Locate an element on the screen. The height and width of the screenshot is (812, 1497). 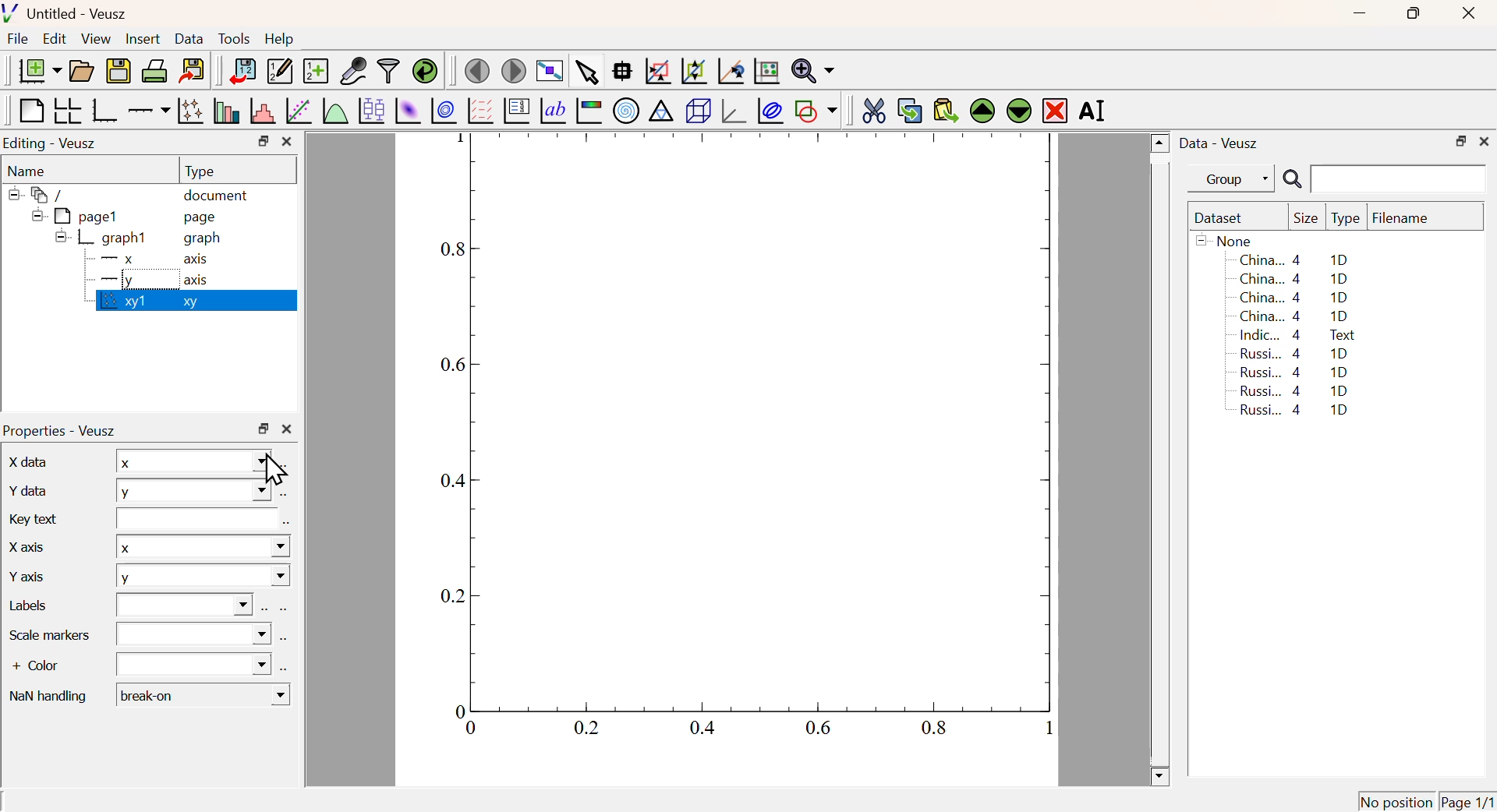
Russi... 4 1D is located at coordinates (1297, 353).